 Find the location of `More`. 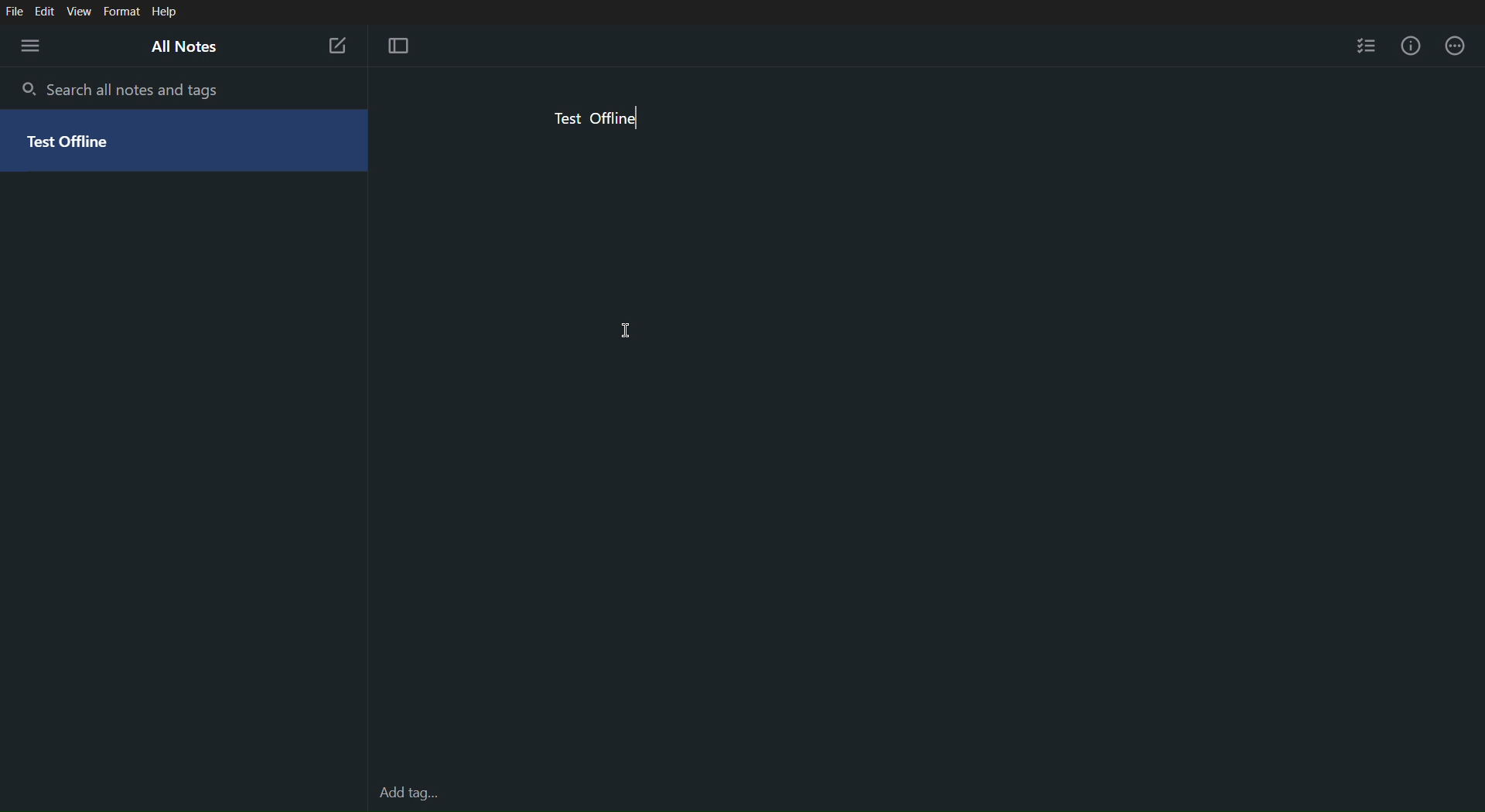

More is located at coordinates (1460, 48).